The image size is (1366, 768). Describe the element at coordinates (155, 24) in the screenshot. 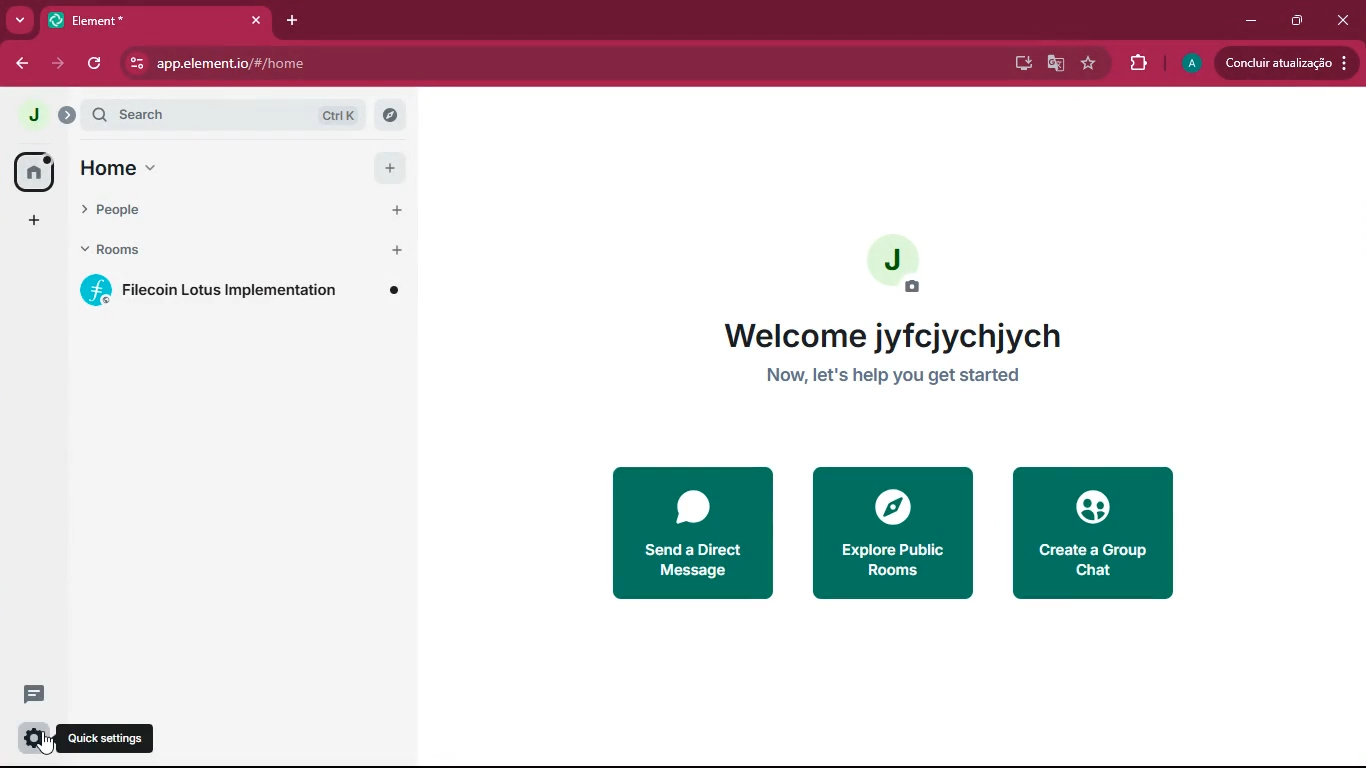

I see `*Element` at that location.